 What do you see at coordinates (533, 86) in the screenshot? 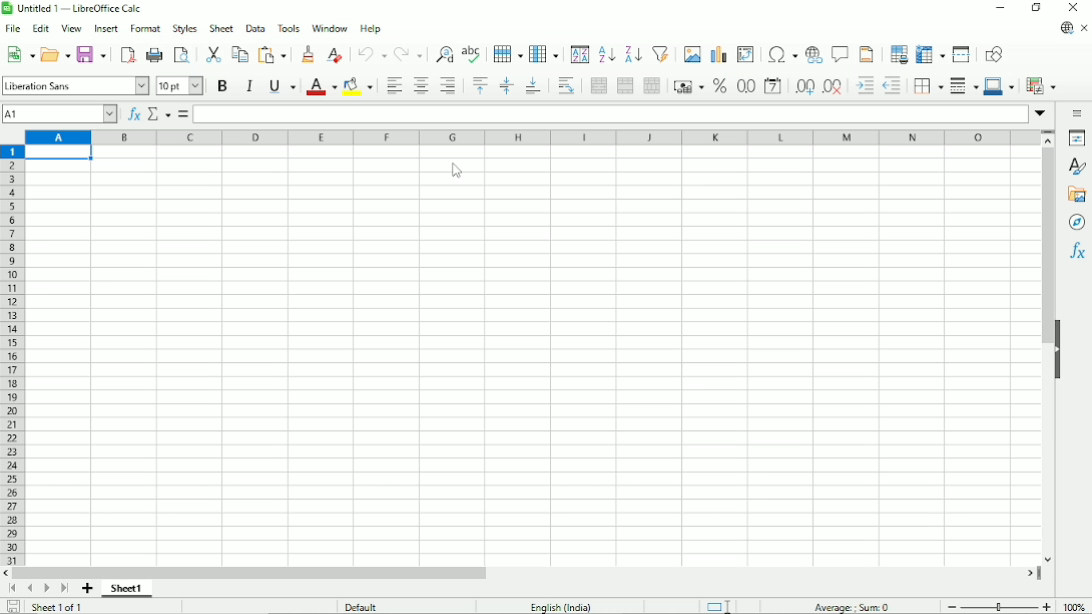
I see `Align bottom` at bounding box center [533, 86].